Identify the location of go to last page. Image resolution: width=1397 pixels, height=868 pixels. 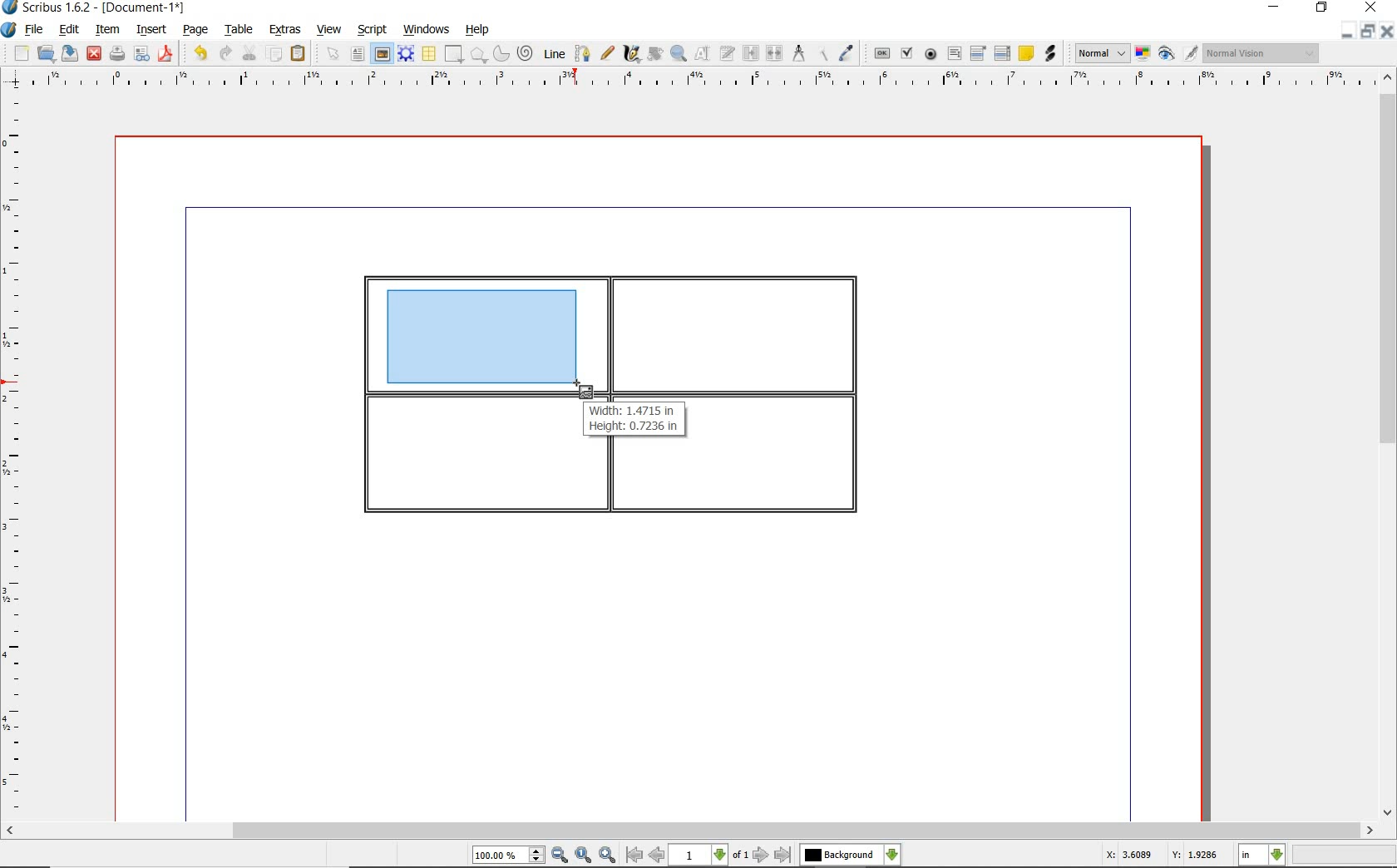
(784, 855).